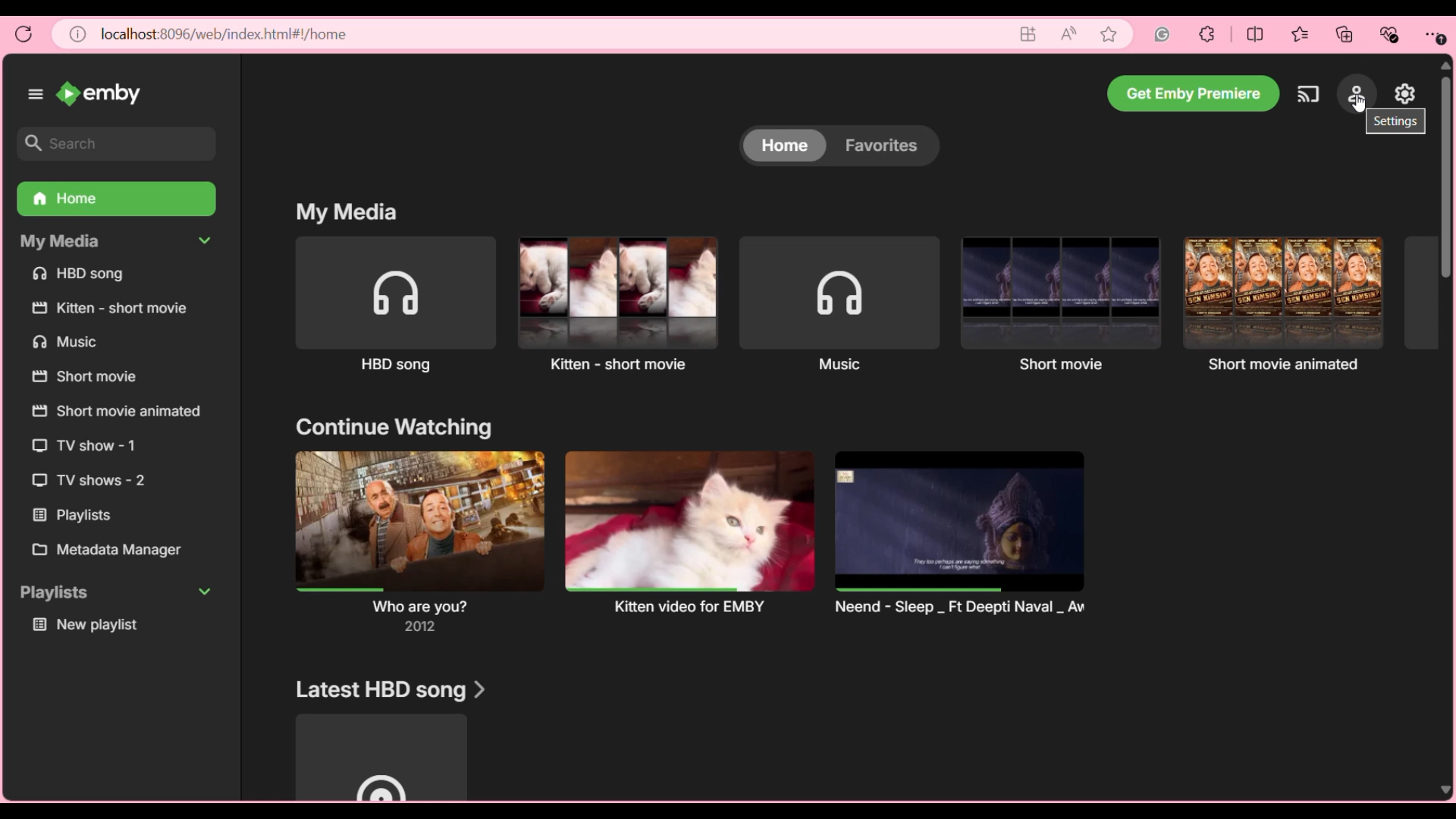 The height and width of the screenshot is (819, 1456). I want to click on Collapse, so click(205, 591).